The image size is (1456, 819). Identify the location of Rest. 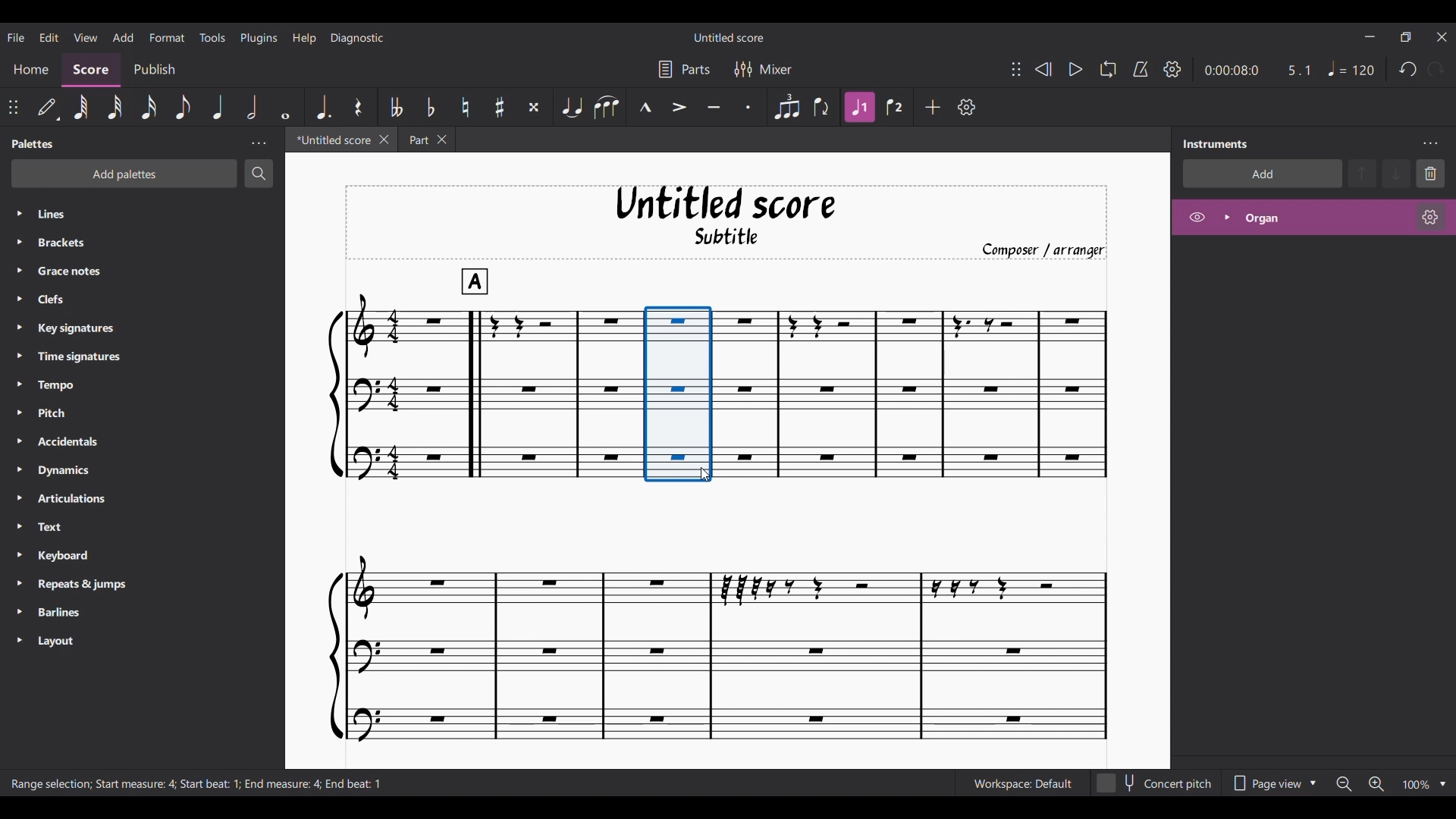
(359, 107).